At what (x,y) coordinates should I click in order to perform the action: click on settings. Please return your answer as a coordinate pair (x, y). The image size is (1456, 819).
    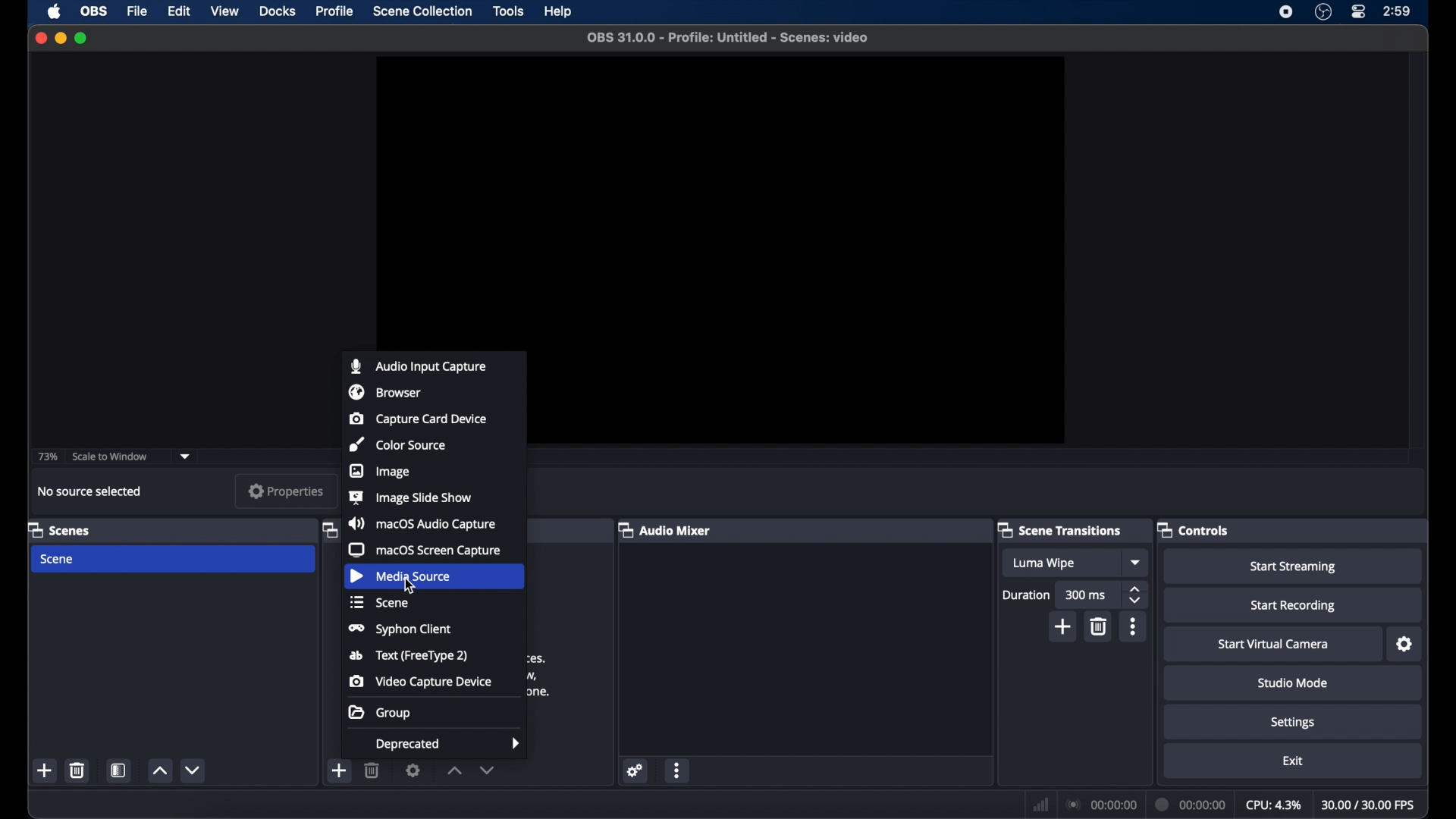
    Looking at the image, I should click on (1293, 723).